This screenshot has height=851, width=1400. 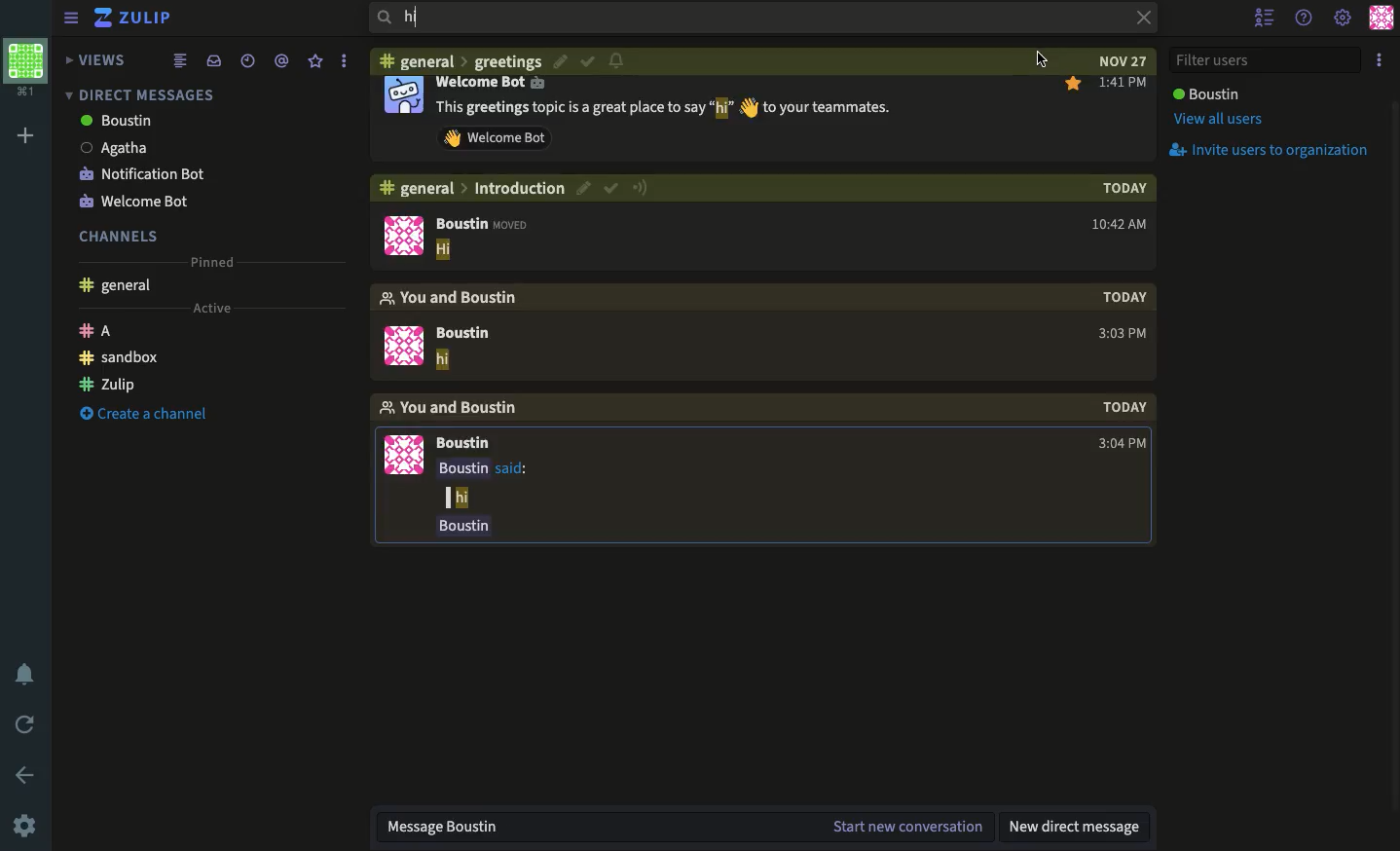 I want to click on Messages with hi, so click(x=664, y=109).